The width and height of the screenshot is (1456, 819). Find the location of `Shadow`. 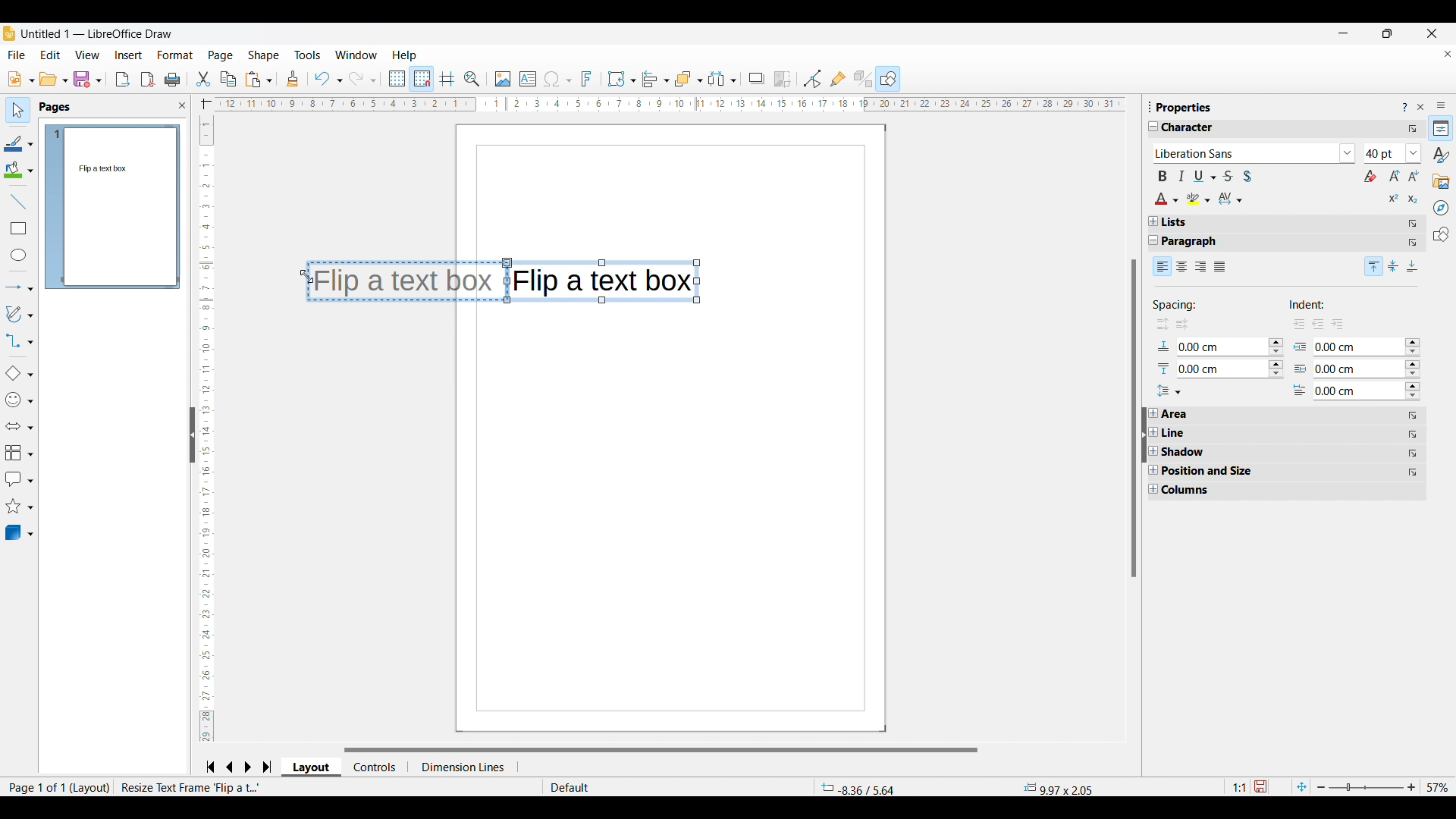

Shadow is located at coordinates (757, 79).